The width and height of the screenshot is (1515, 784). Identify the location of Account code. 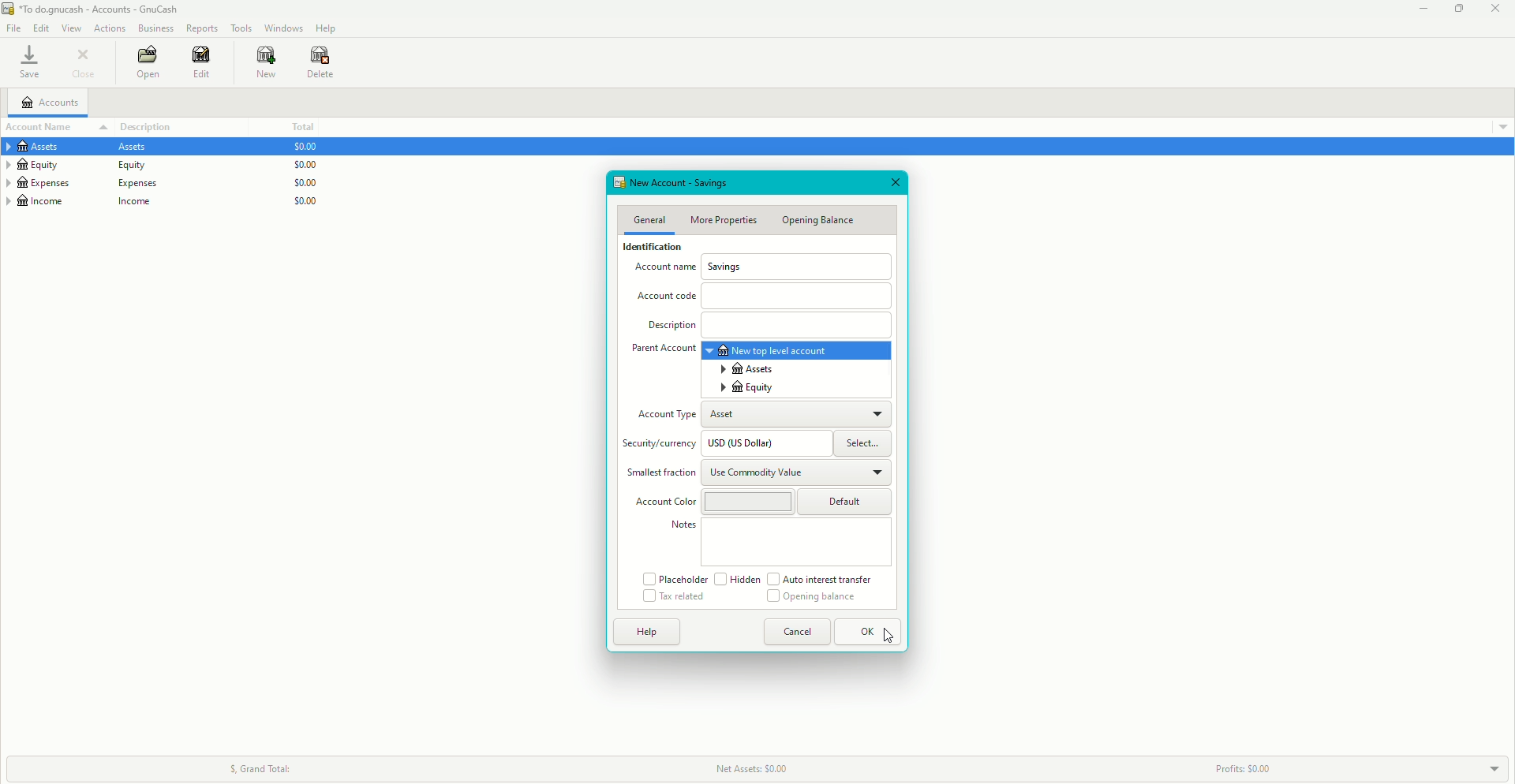
(670, 299).